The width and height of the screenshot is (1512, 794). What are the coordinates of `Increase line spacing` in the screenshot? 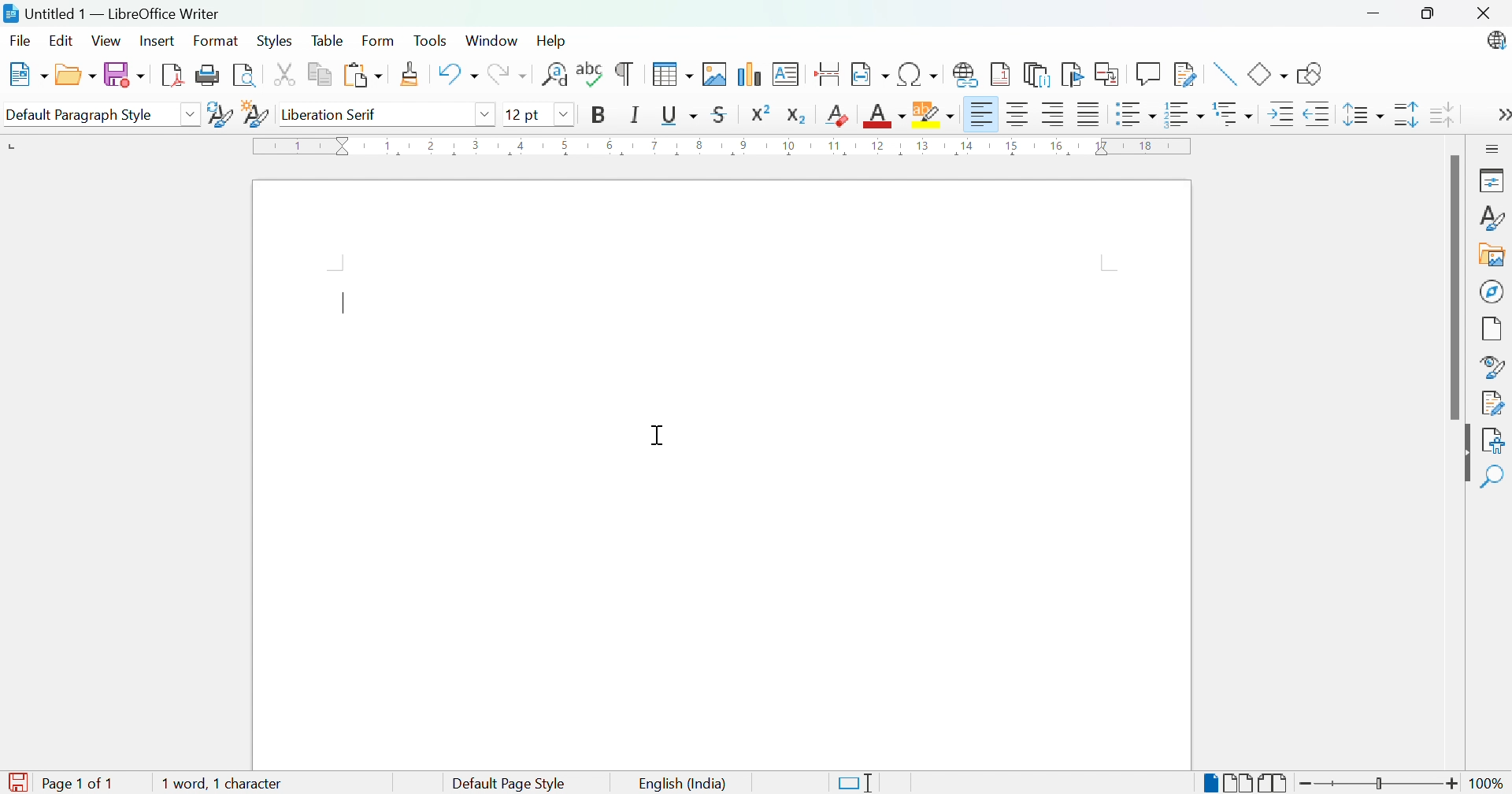 It's located at (1406, 115).